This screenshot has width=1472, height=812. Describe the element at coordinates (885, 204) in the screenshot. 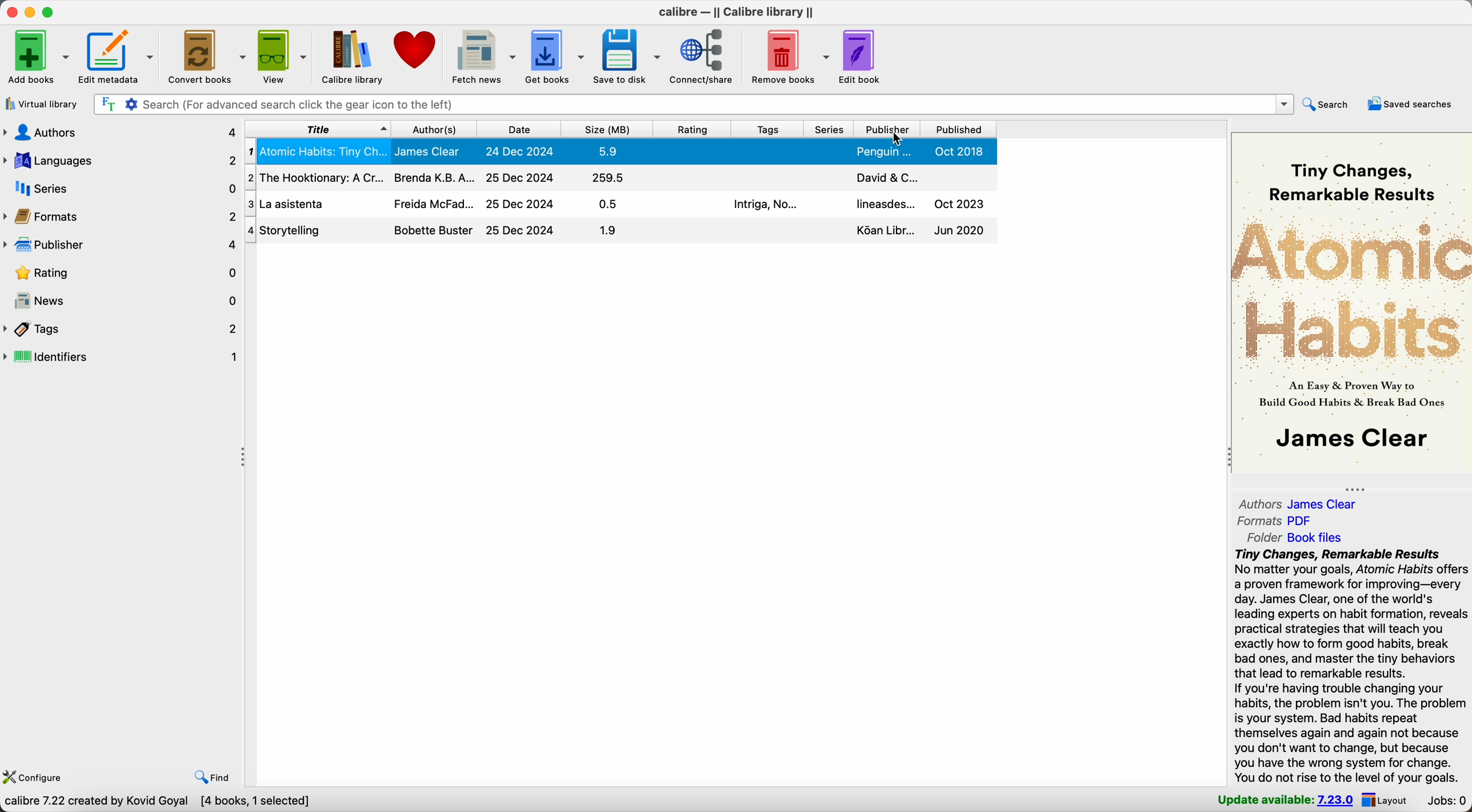

I see `lineasdes...` at that location.